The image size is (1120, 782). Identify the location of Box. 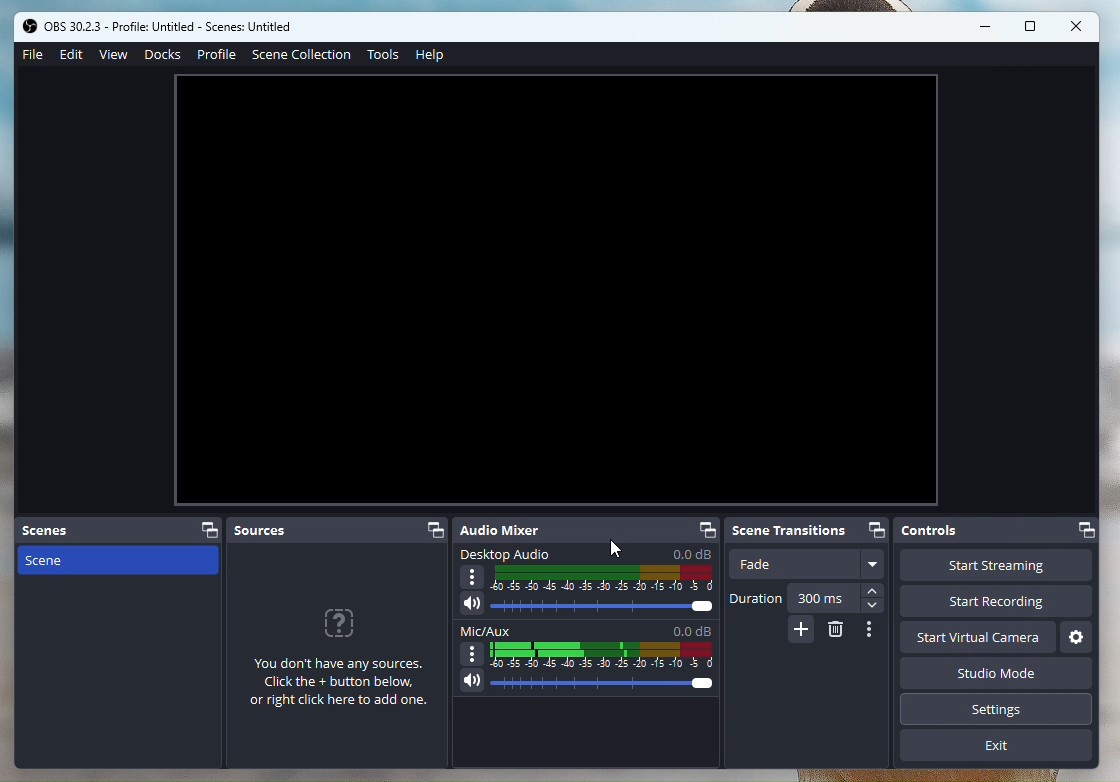
(1029, 26).